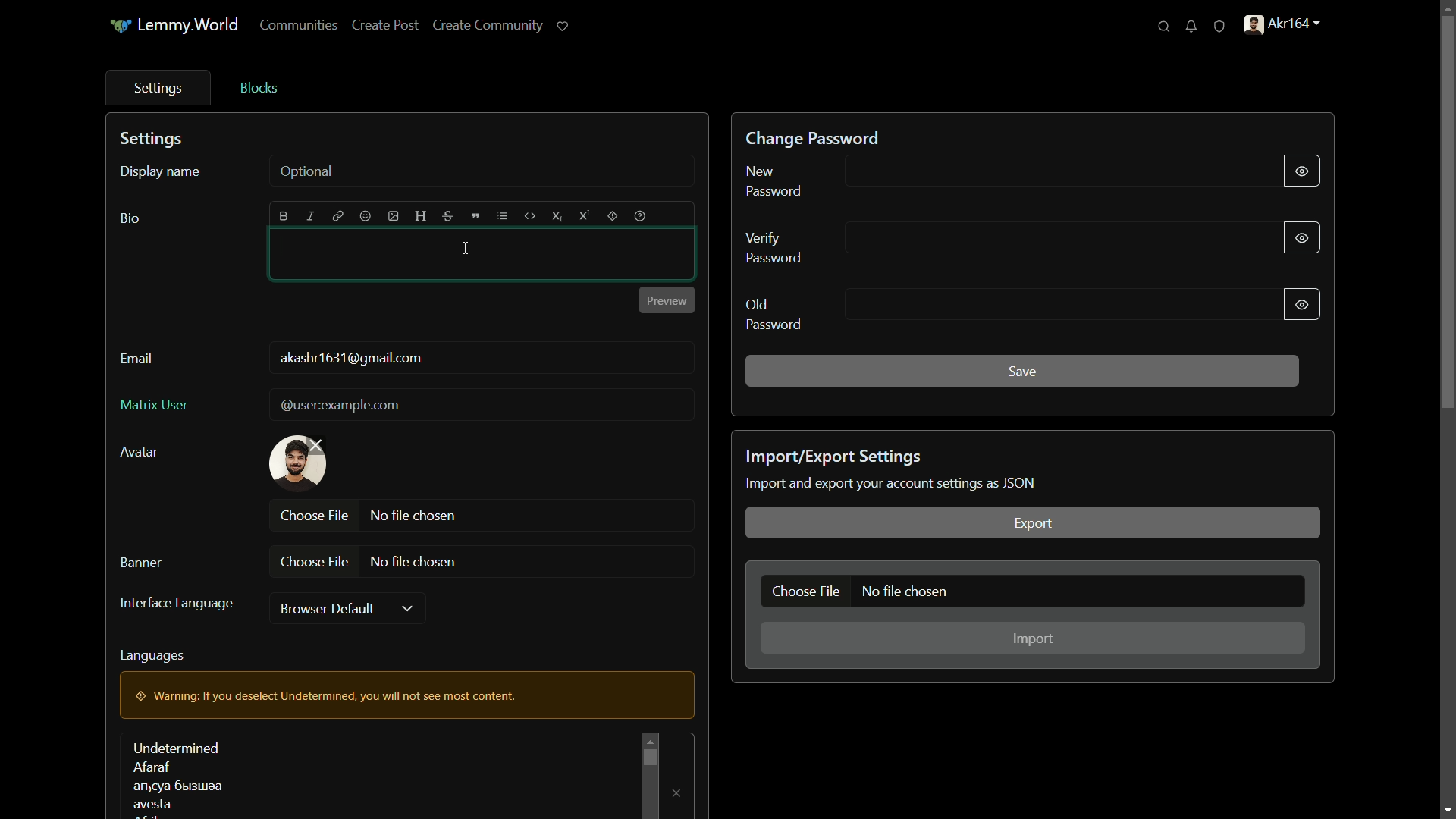 Image resolution: width=1456 pixels, height=819 pixels. Describe the element at coordinates (1164, 26) in the screenshot. I see `search` at that location.